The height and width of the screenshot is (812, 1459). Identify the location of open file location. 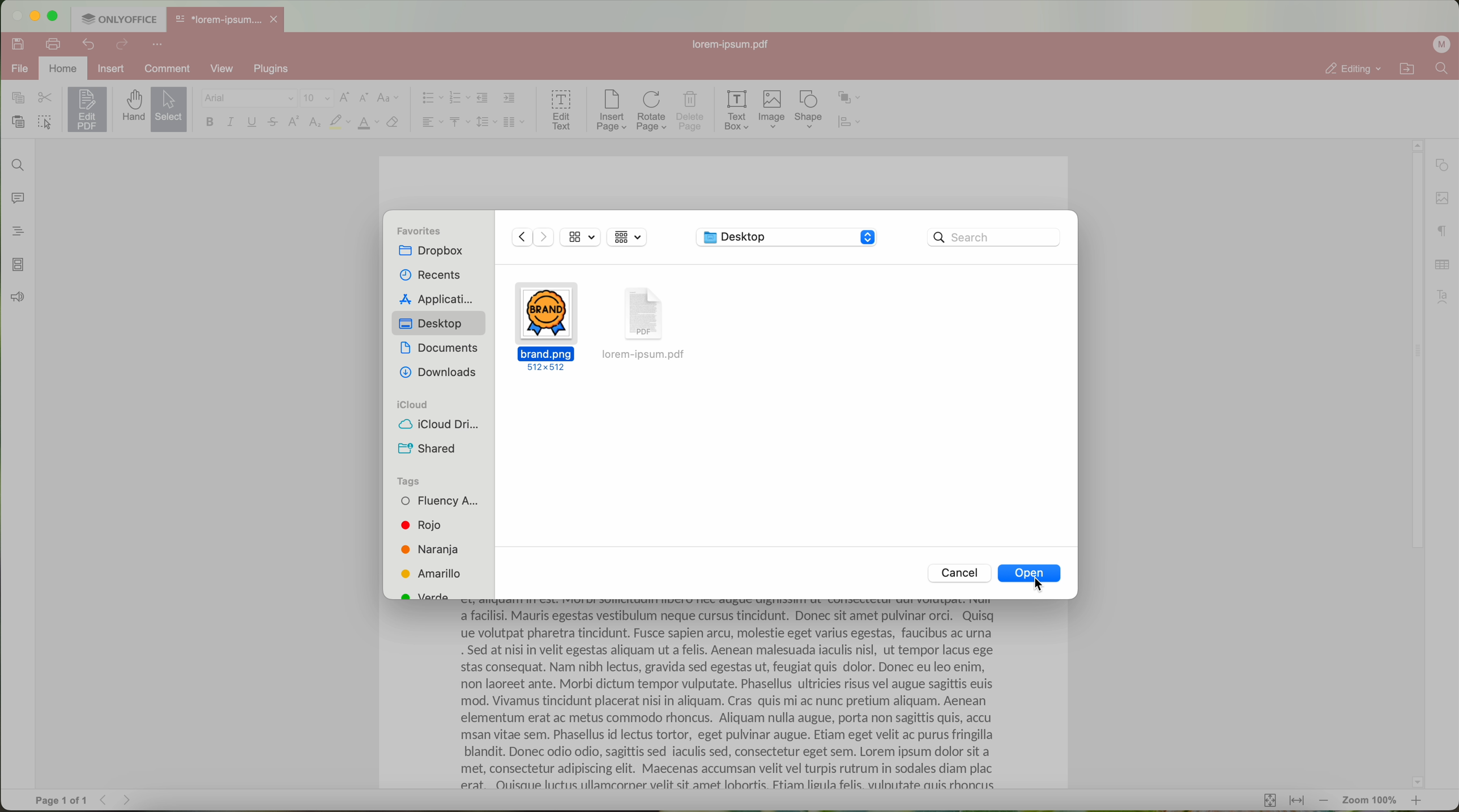
(1410, 69).